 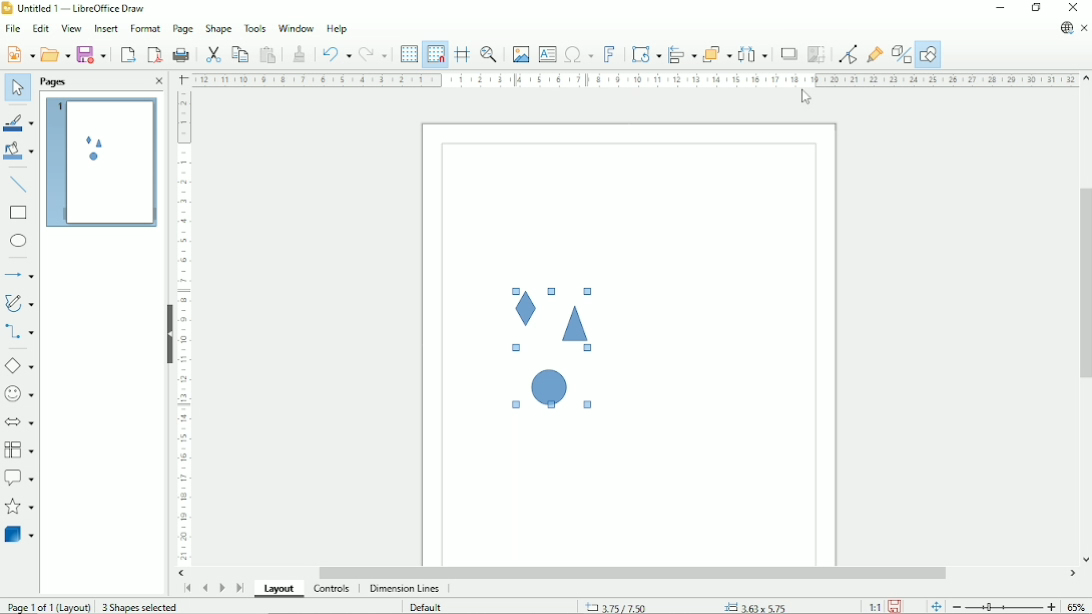 I want to click on New, so click(x=19, y=54).